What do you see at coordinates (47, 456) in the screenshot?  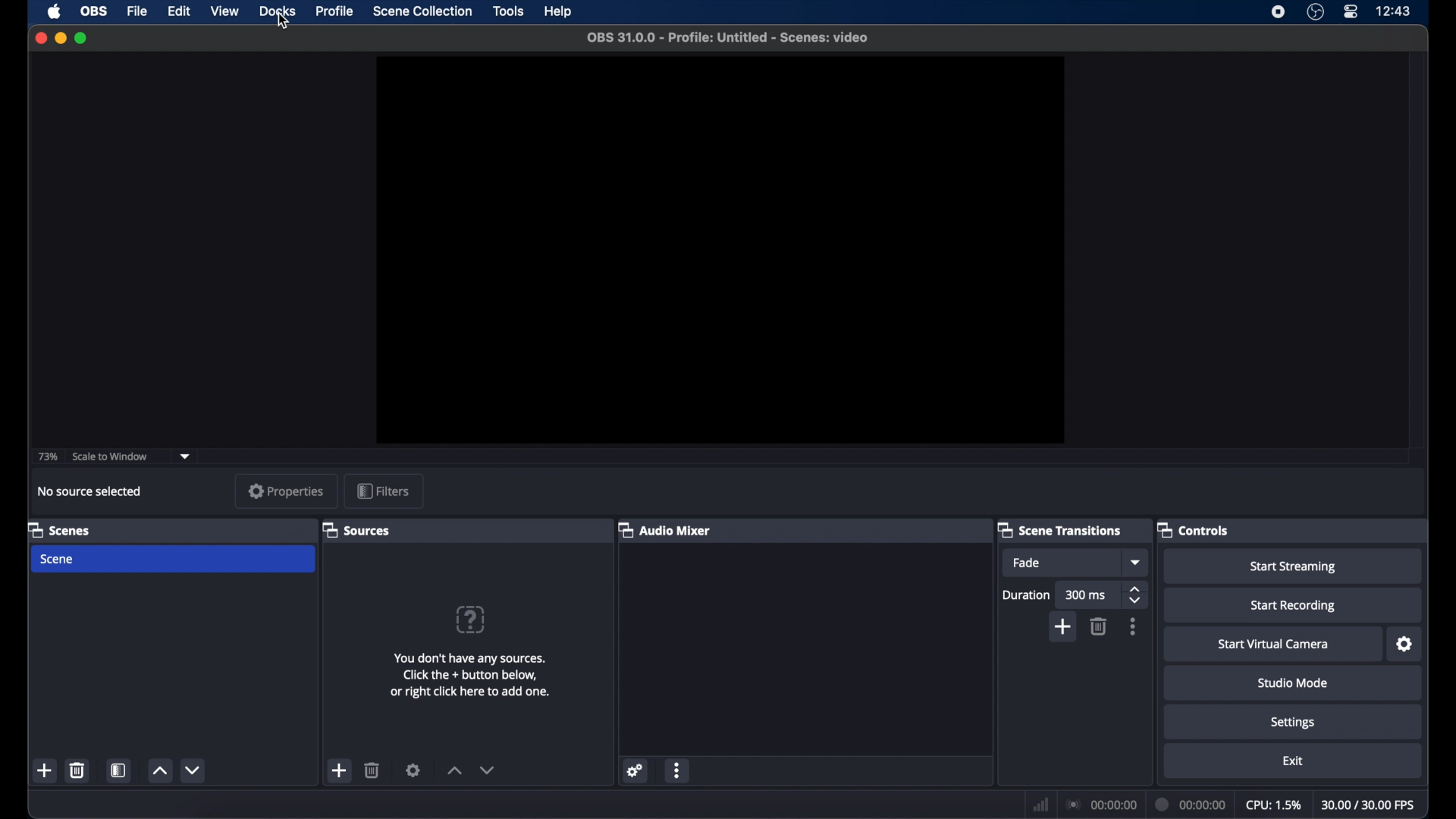 I see `73%` at bounding box center [47, 456].